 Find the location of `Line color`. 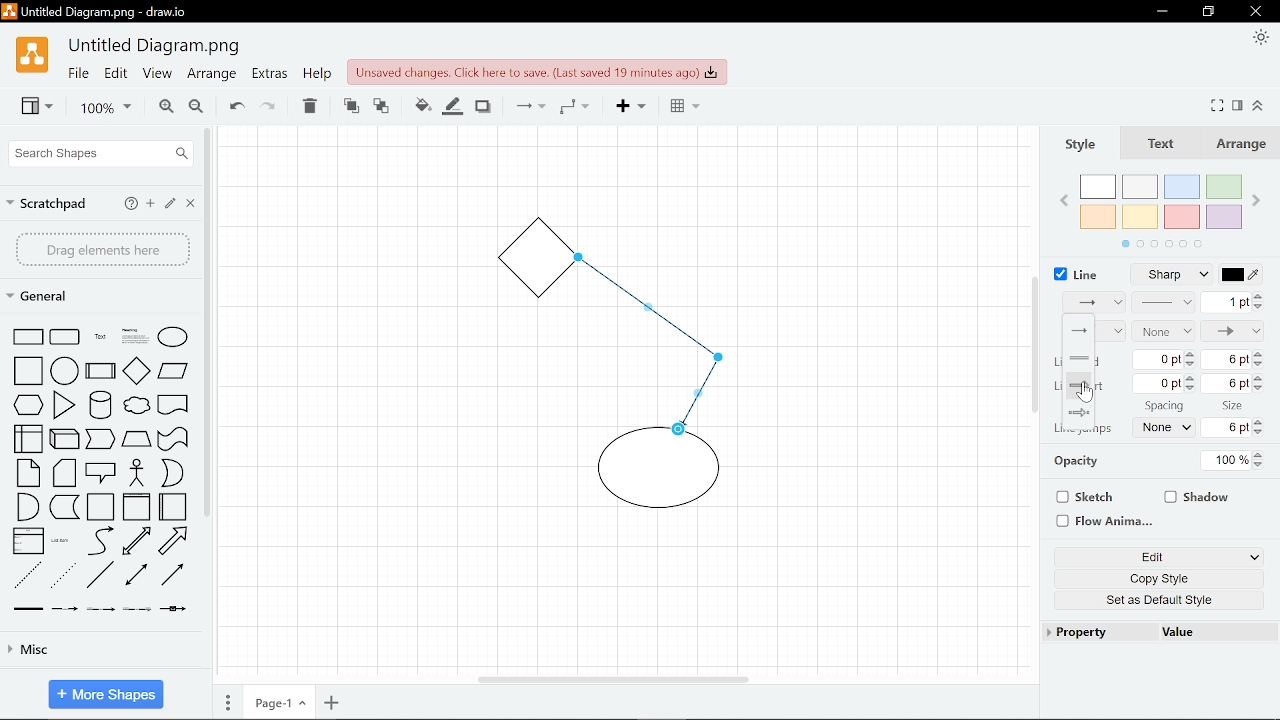

Line color is located at coordinates (1248, 274).